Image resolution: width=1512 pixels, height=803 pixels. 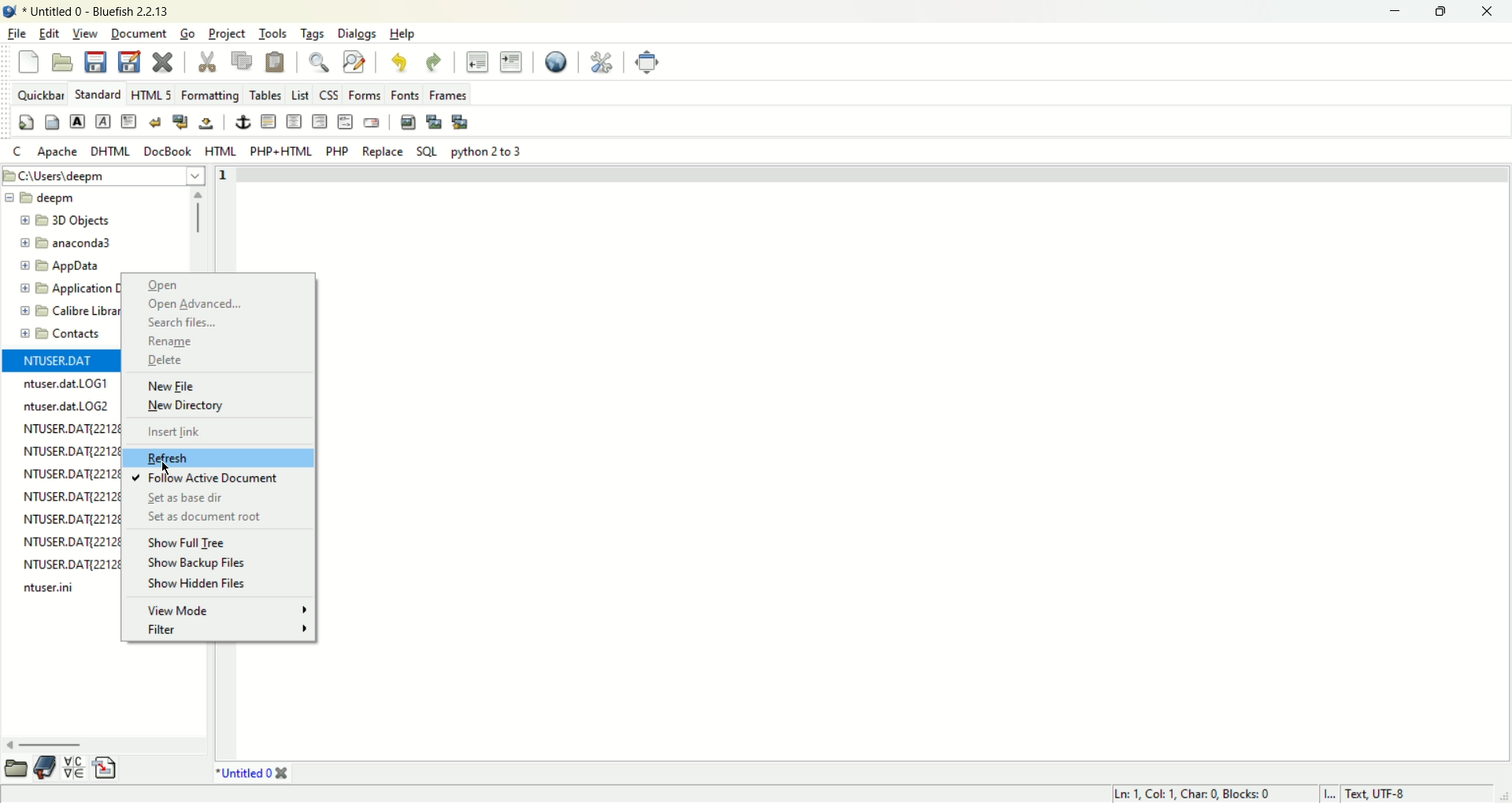 I want to click on application icon, so click(x=9, y=9).